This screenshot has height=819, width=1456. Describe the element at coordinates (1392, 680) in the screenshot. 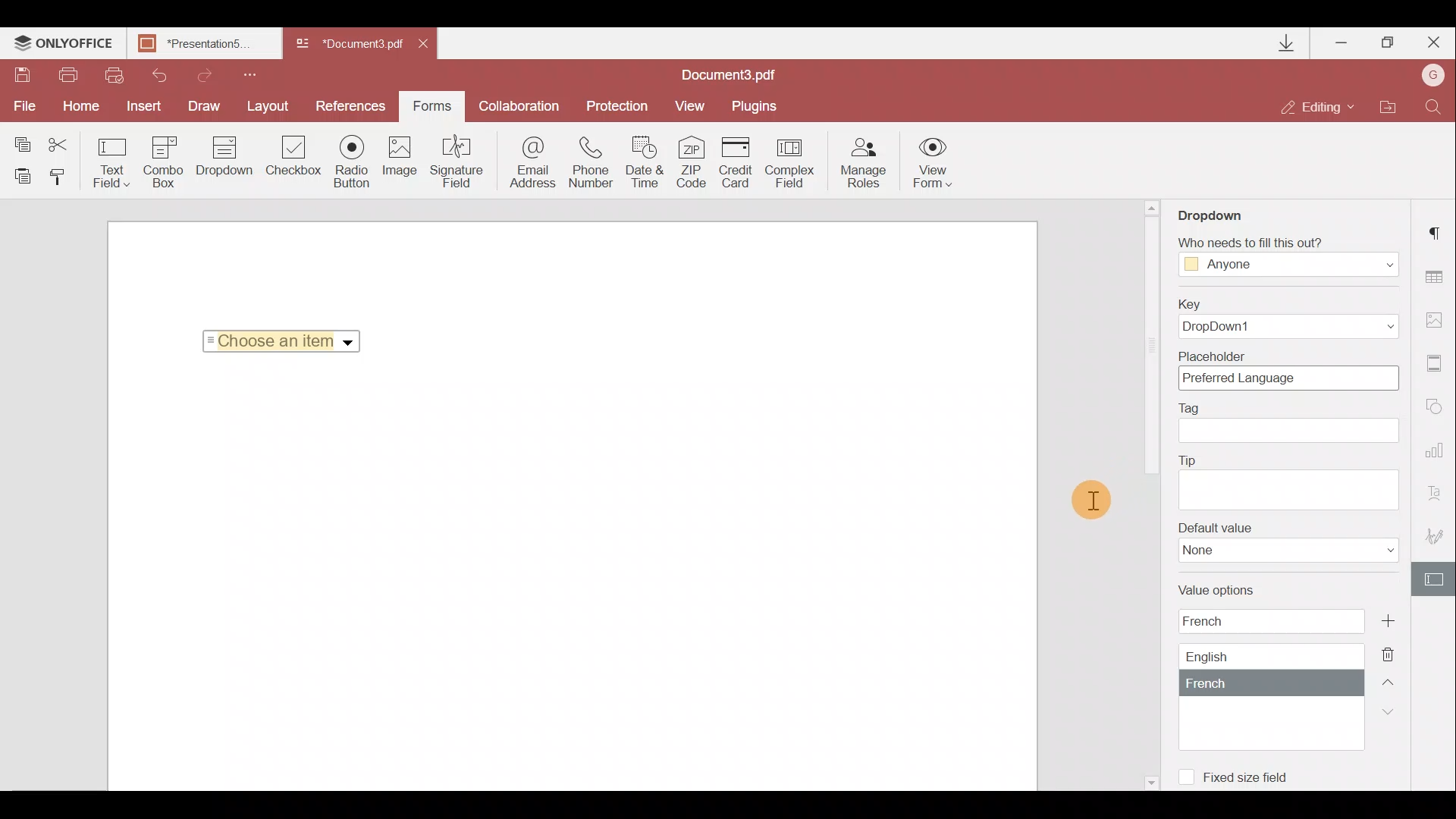

I see `Up` at that location.